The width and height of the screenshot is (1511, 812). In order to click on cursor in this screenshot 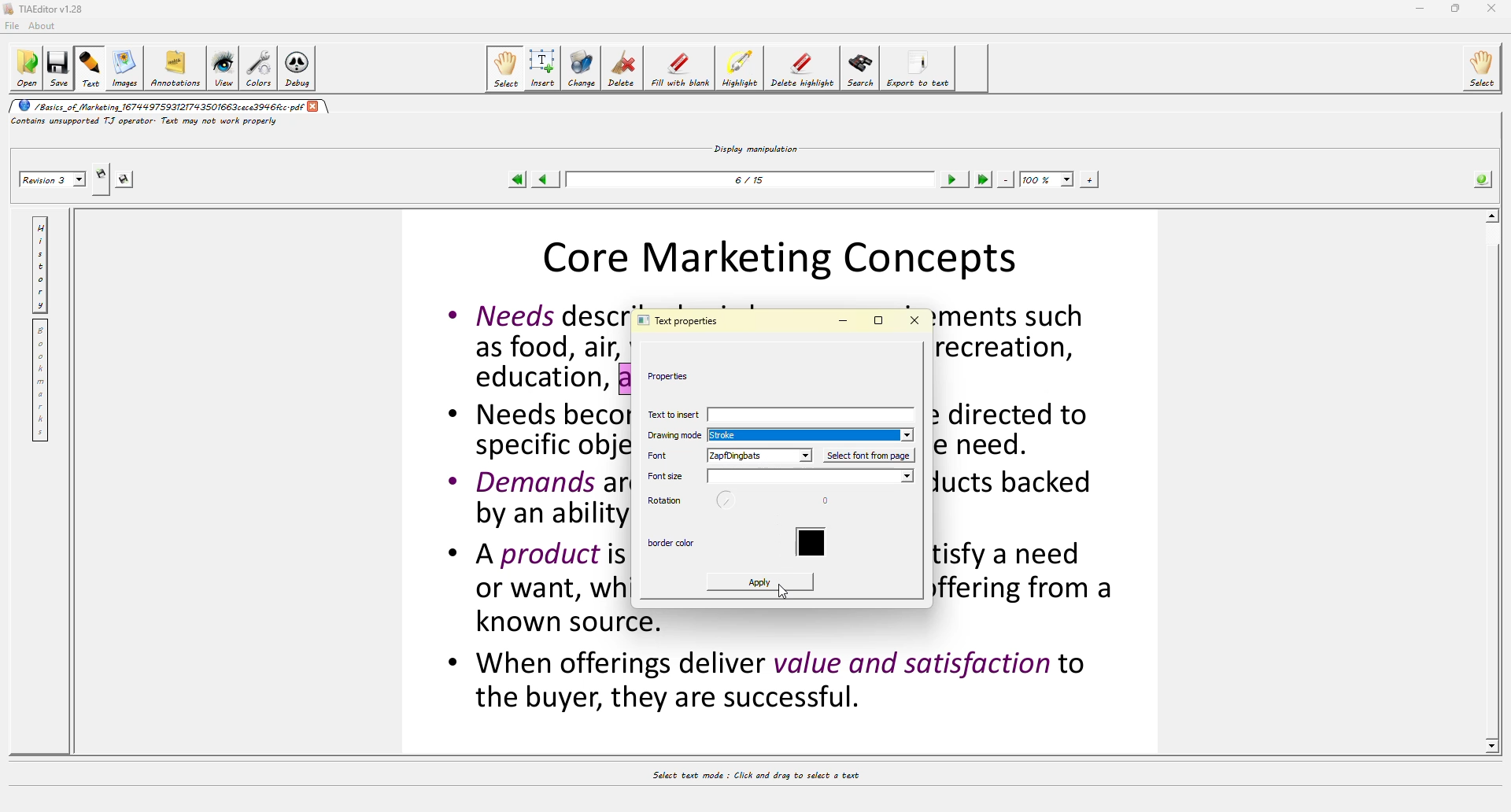, I will do `click(789, 590)`.